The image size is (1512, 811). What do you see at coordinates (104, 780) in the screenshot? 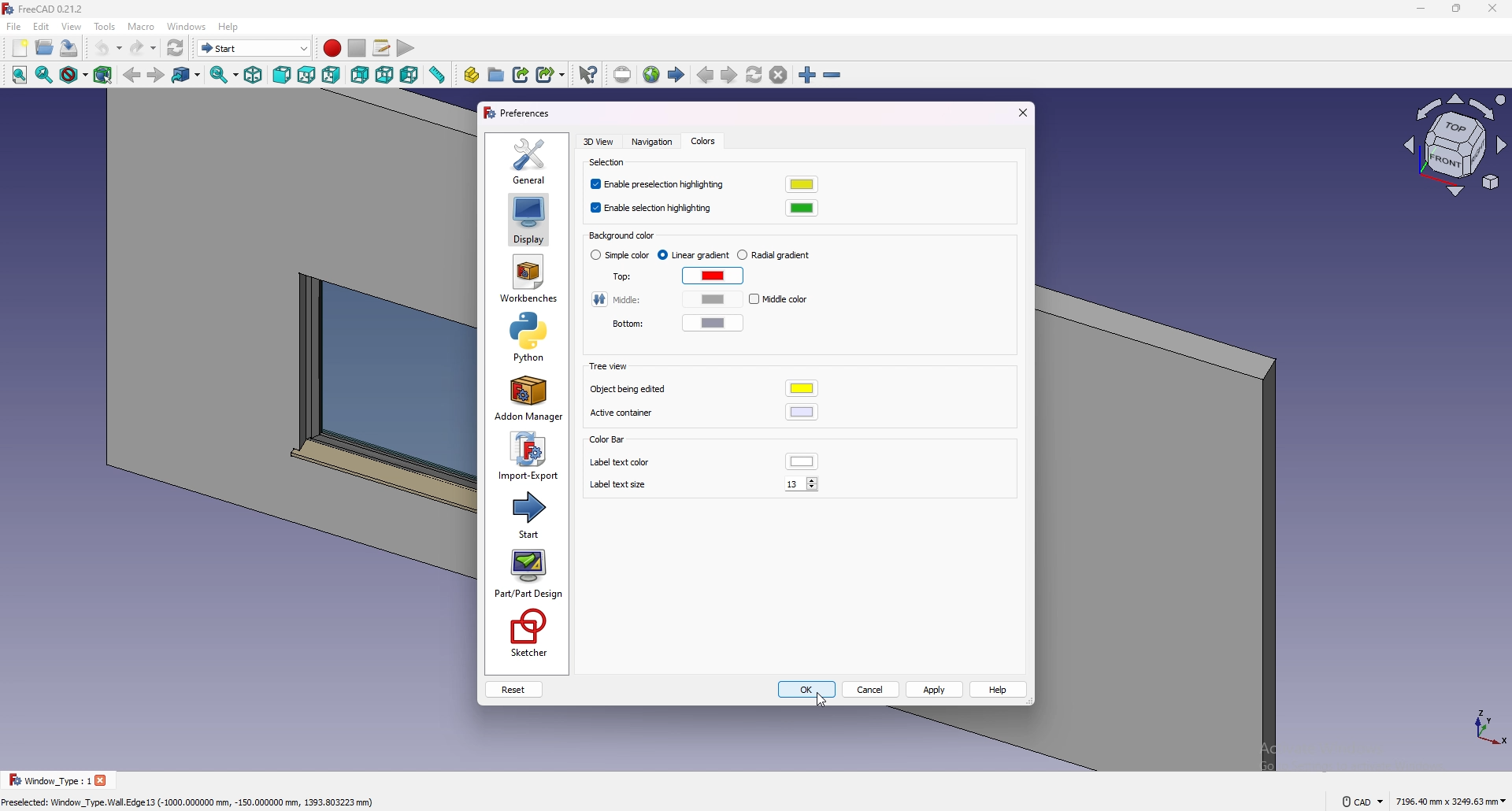
I see `close` at bounding box center [104, 780].